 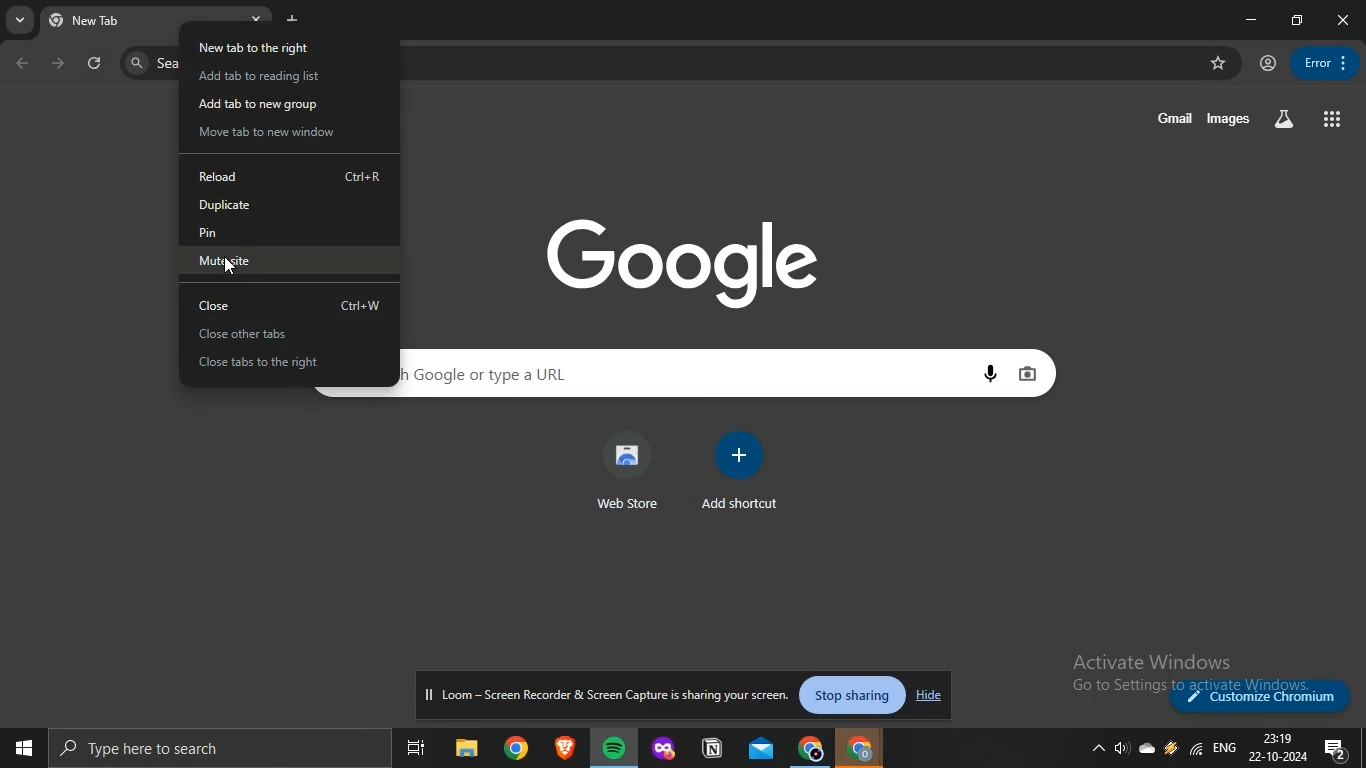 I want to click on onedrive, so click(x=1147, y=747).